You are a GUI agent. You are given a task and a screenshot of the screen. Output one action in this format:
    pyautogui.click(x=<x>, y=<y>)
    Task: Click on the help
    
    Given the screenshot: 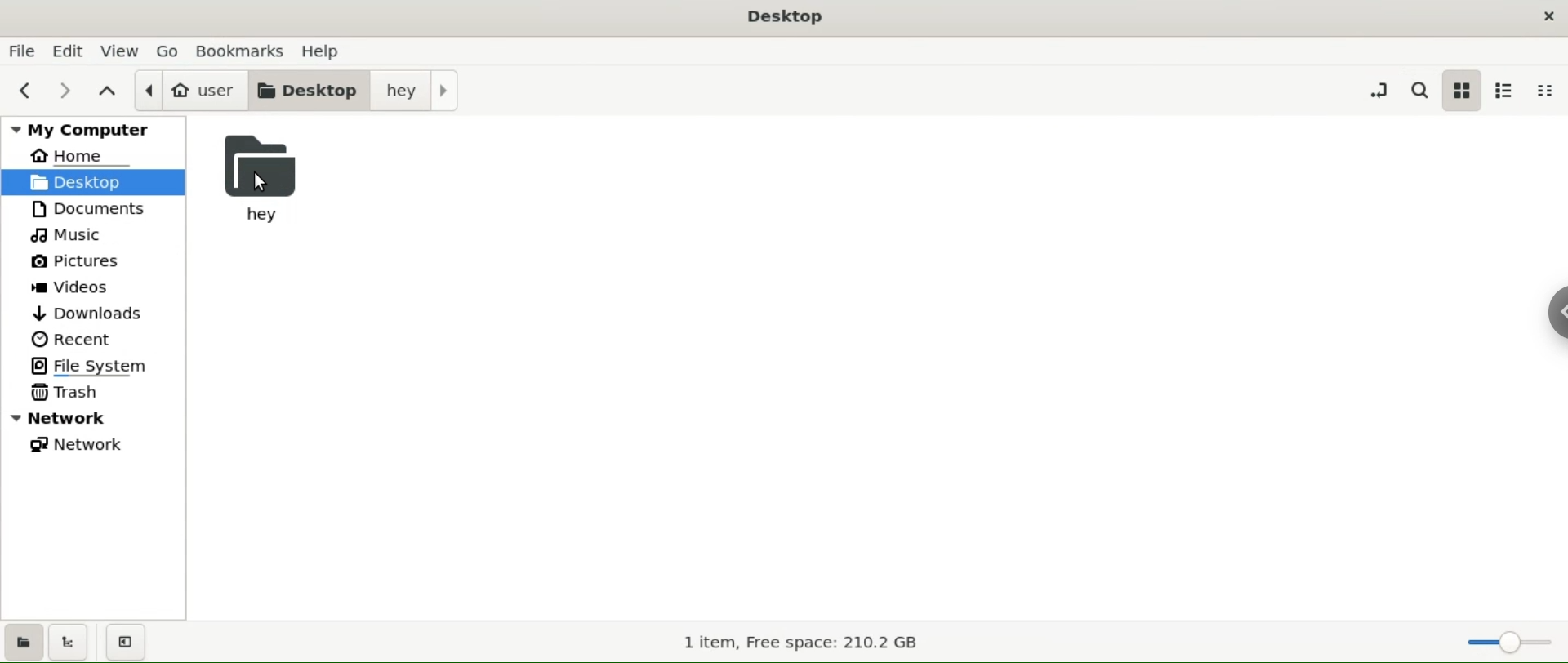 What is the action you would take?
    pyautogui.click(x=320, y=51)
    